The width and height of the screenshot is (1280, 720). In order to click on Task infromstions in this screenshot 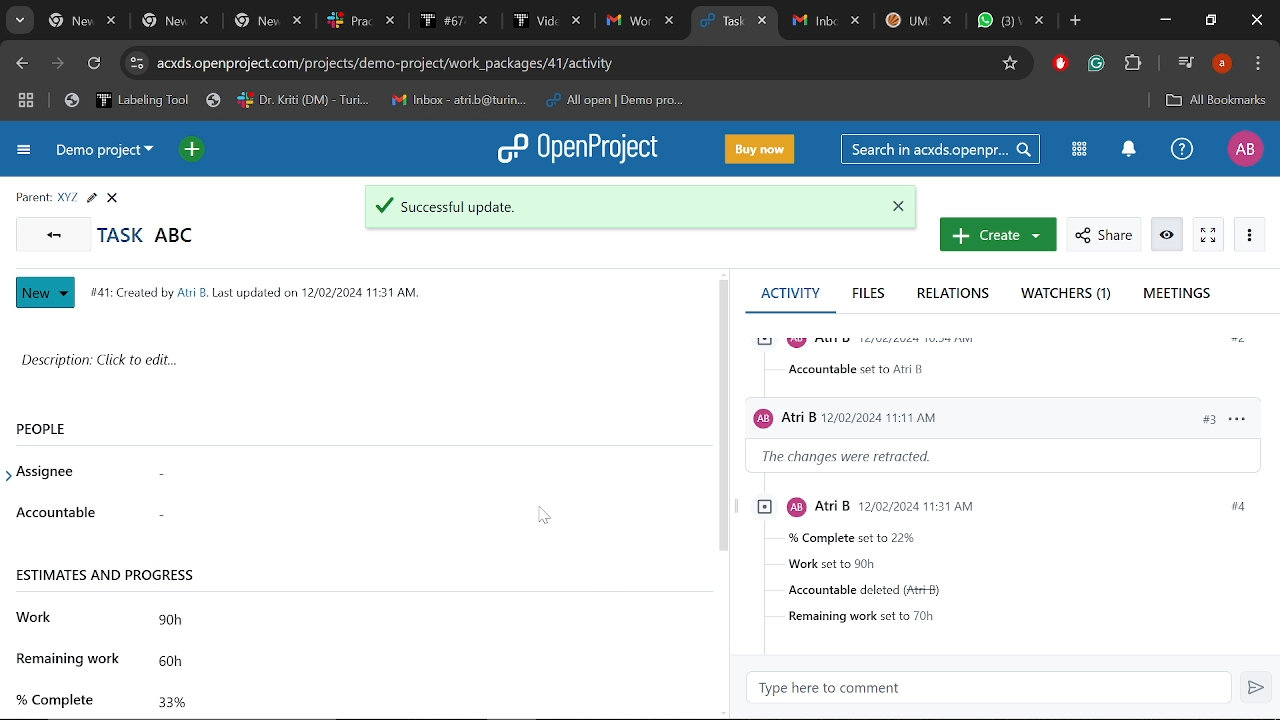, I will do `click(1005, 561)`.